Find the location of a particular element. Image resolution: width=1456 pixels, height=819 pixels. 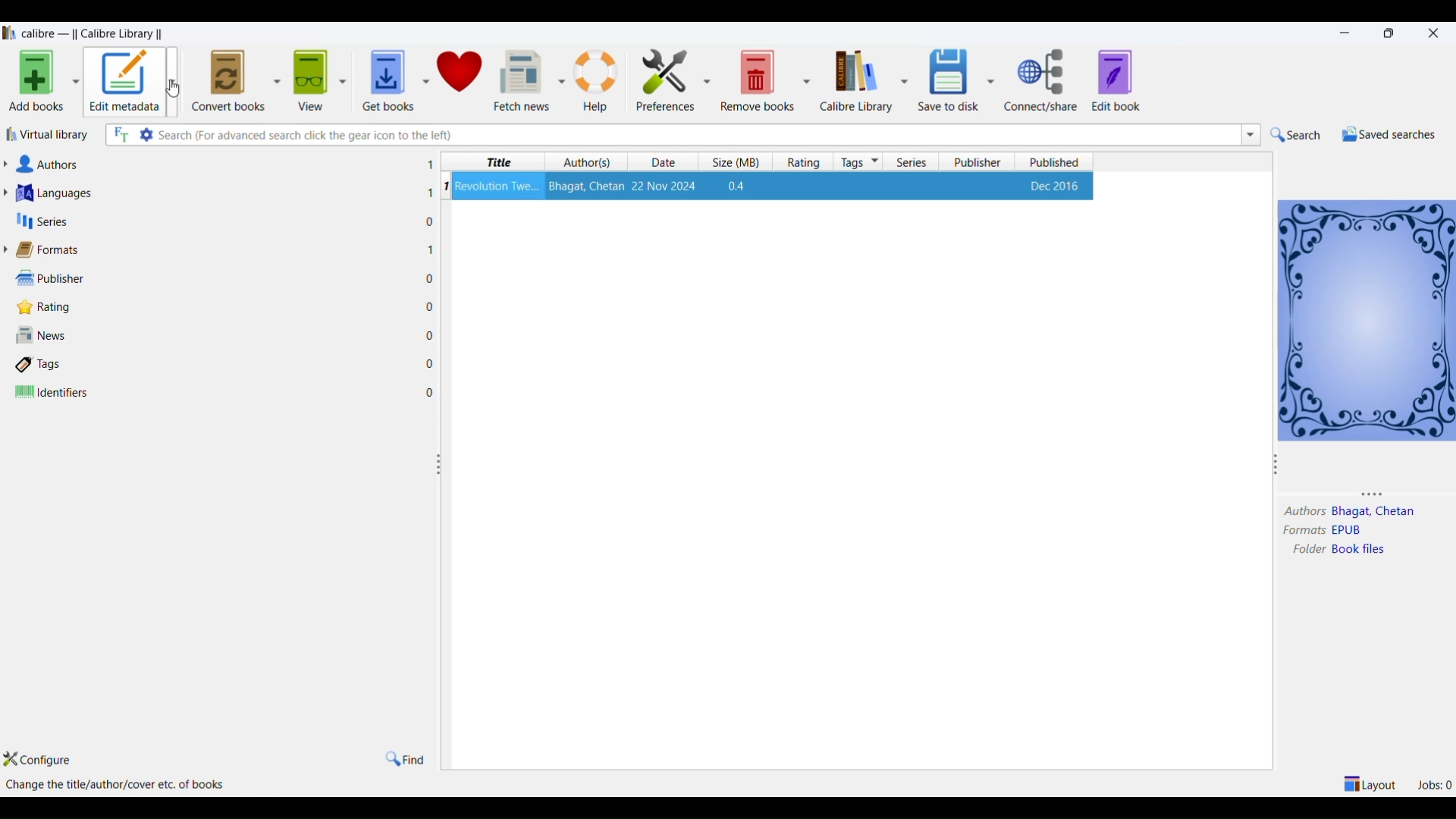

virtual library is located at coordinates (49, 137).